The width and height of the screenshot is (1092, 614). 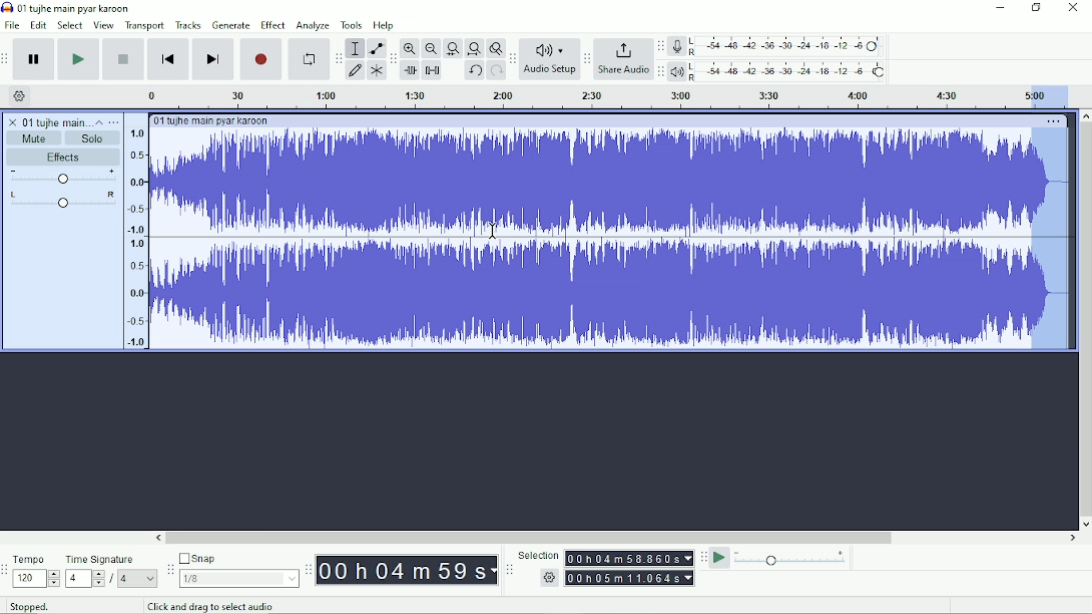 What do you see at coordinates (219, 121) in the screenshot?
I see `01 tujhe main pyar karoon` at bounding box center [219, 121].